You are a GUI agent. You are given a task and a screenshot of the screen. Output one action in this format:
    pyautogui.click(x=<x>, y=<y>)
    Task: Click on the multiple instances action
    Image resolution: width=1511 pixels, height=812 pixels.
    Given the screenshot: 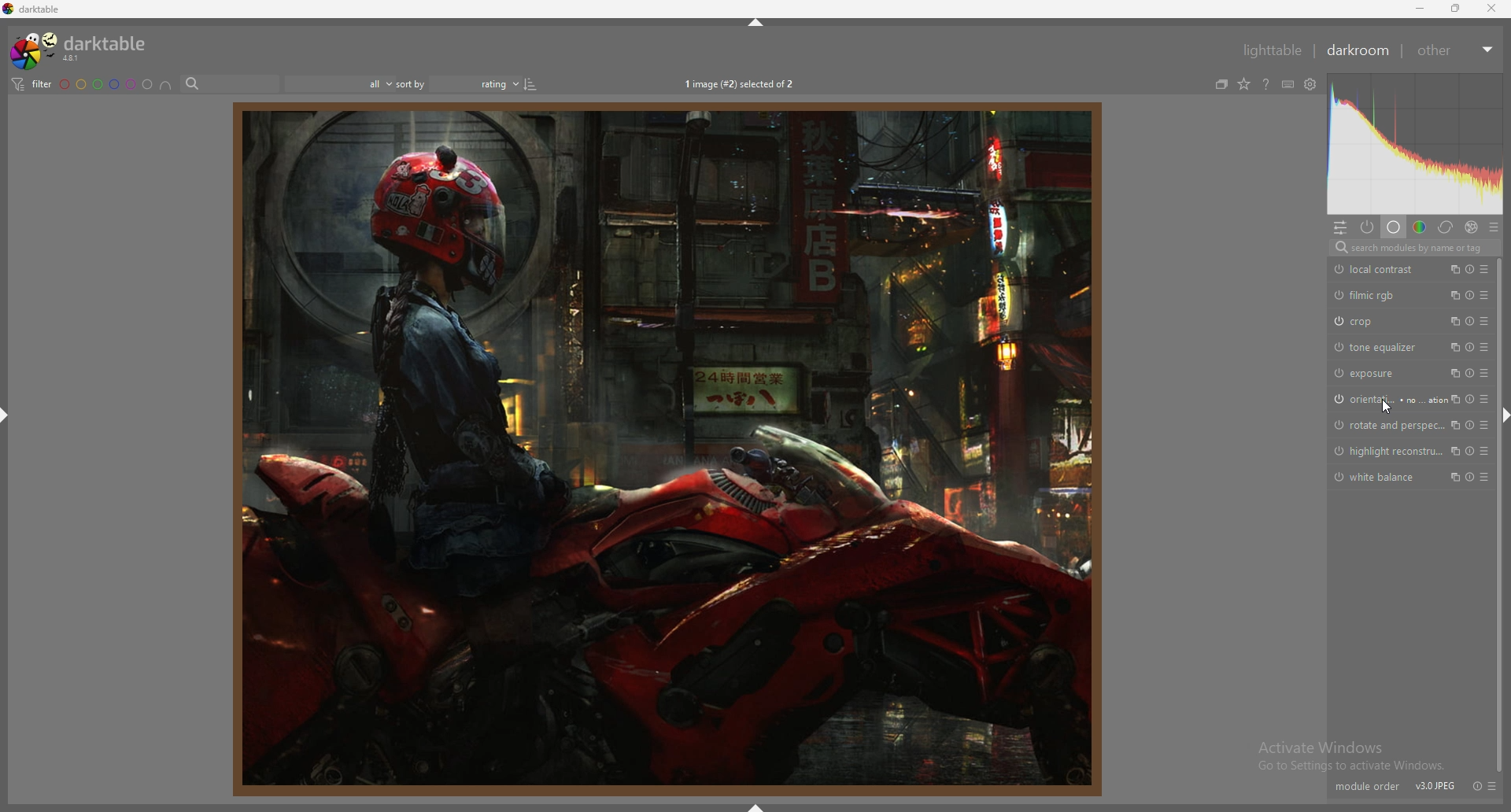 What is the action you would take?
    pyautogui.click(x=1453, y=321)
    